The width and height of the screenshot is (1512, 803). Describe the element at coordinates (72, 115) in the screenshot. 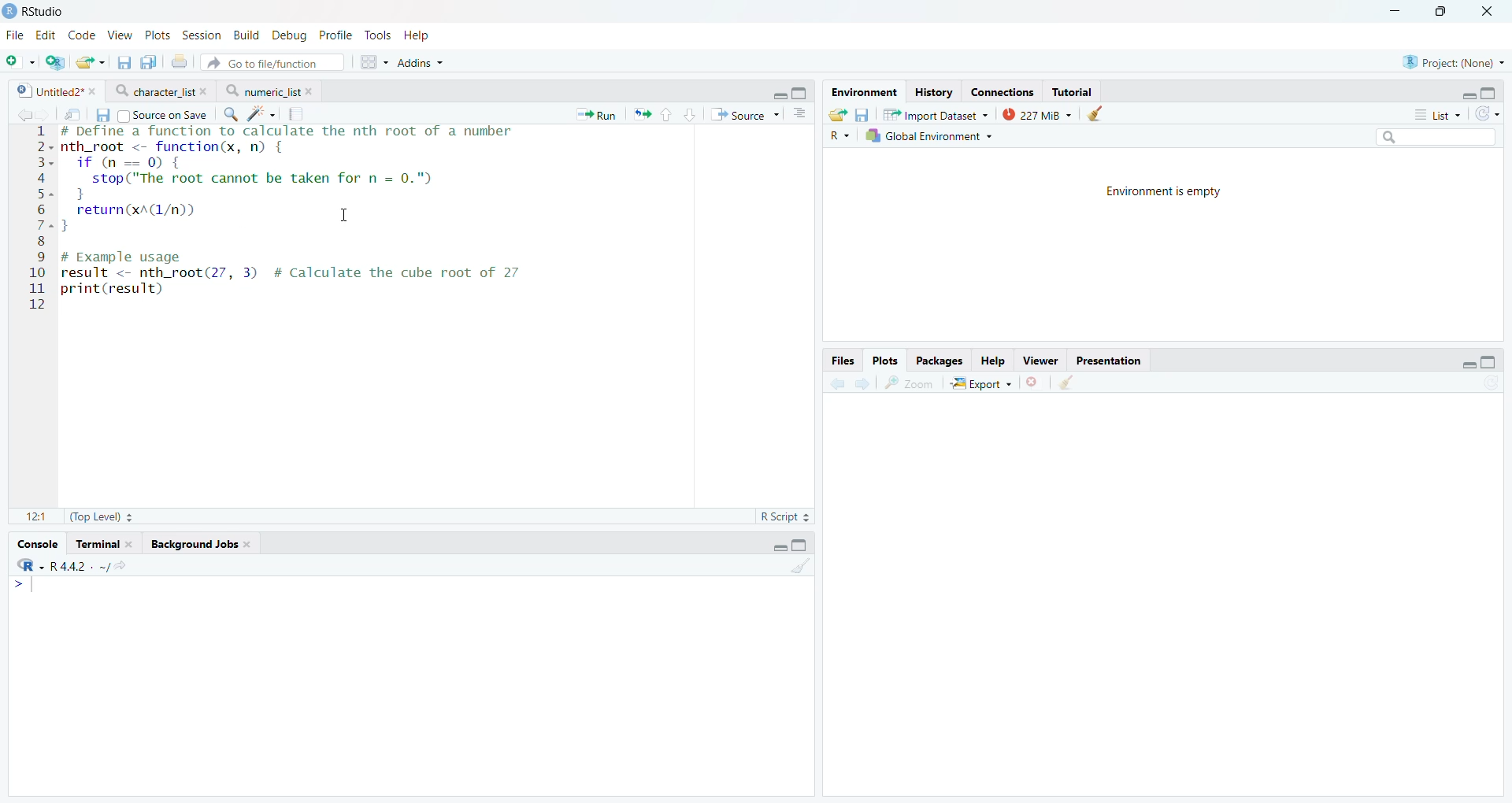

I see `Open in new window` at that location.